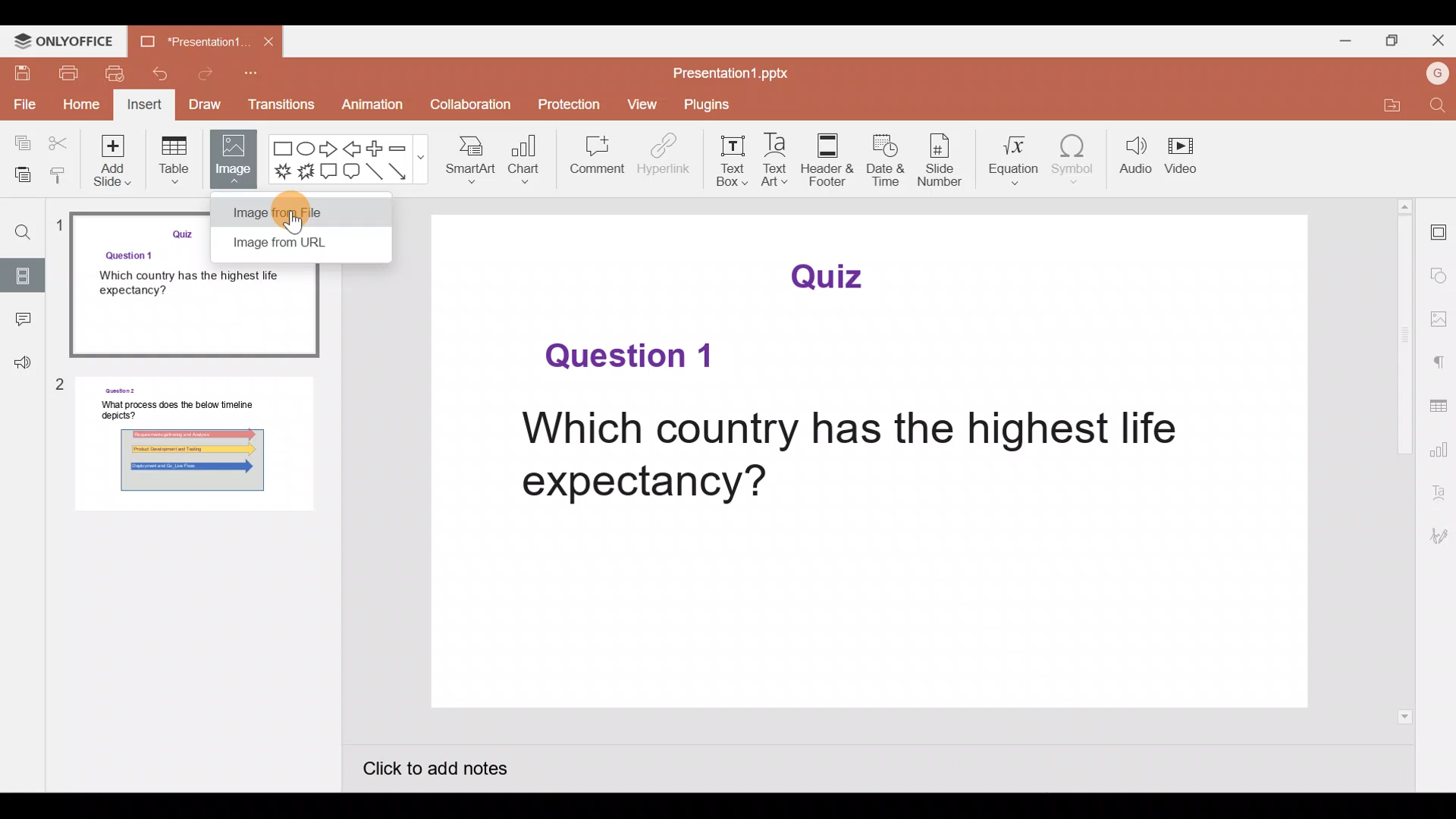  I want to click on Account name, so click(1434, 74).